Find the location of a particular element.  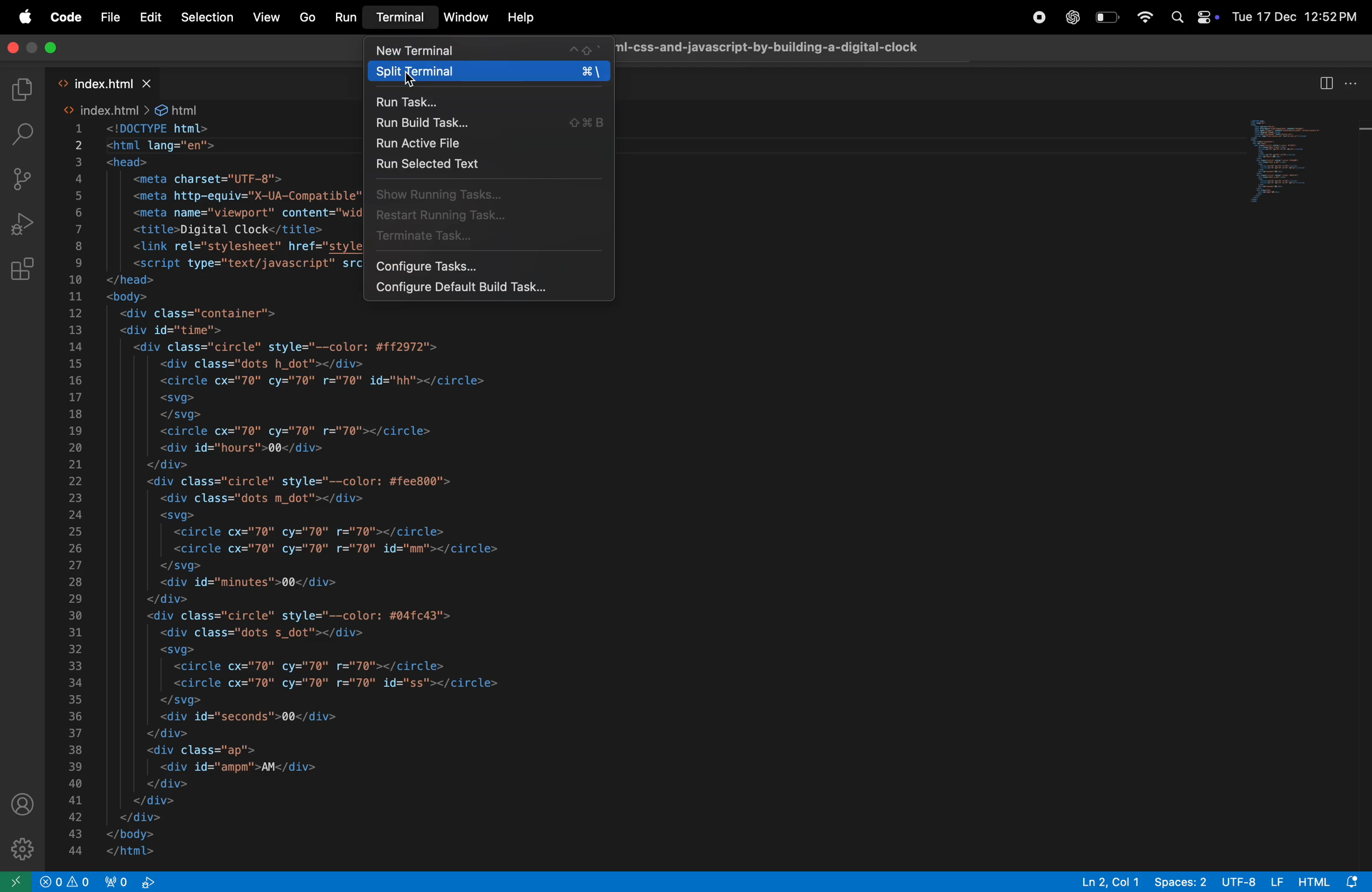

Html Alert is located at coordinates (1333, 881).